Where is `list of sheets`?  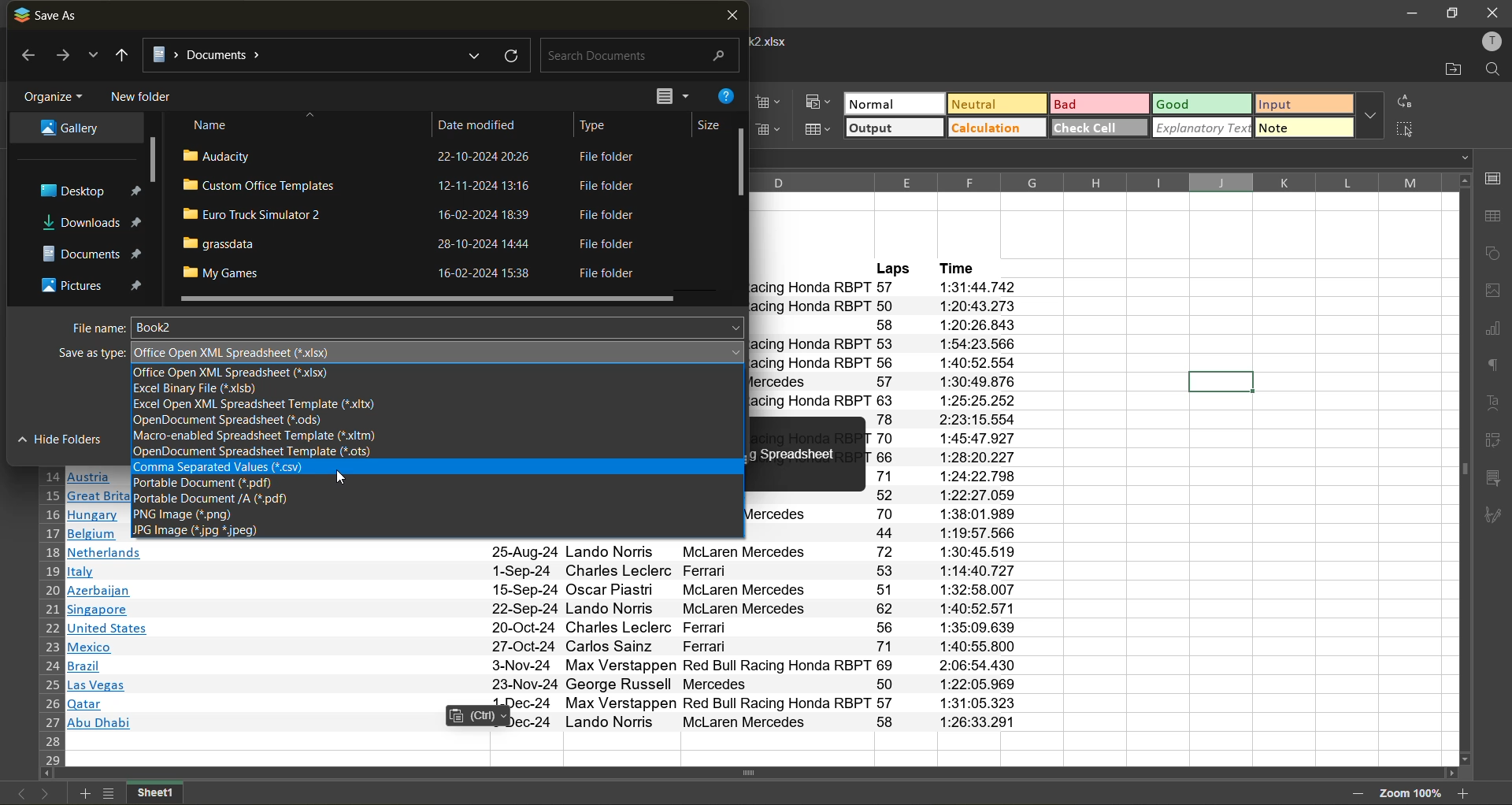
list of sheets is located at coordinates (107, 794).